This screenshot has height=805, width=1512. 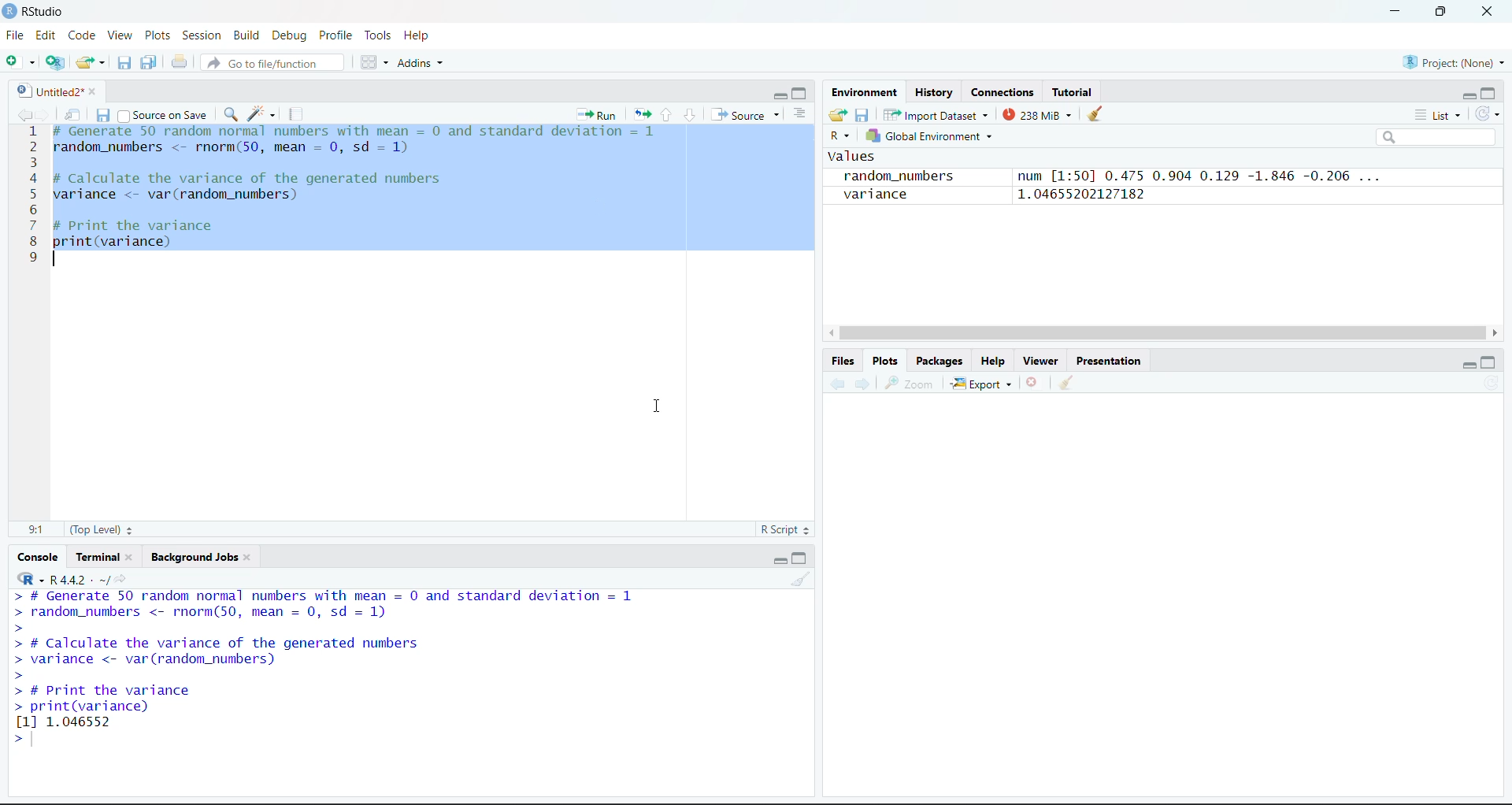 I want to click on Help, so click(x=417, y=35).